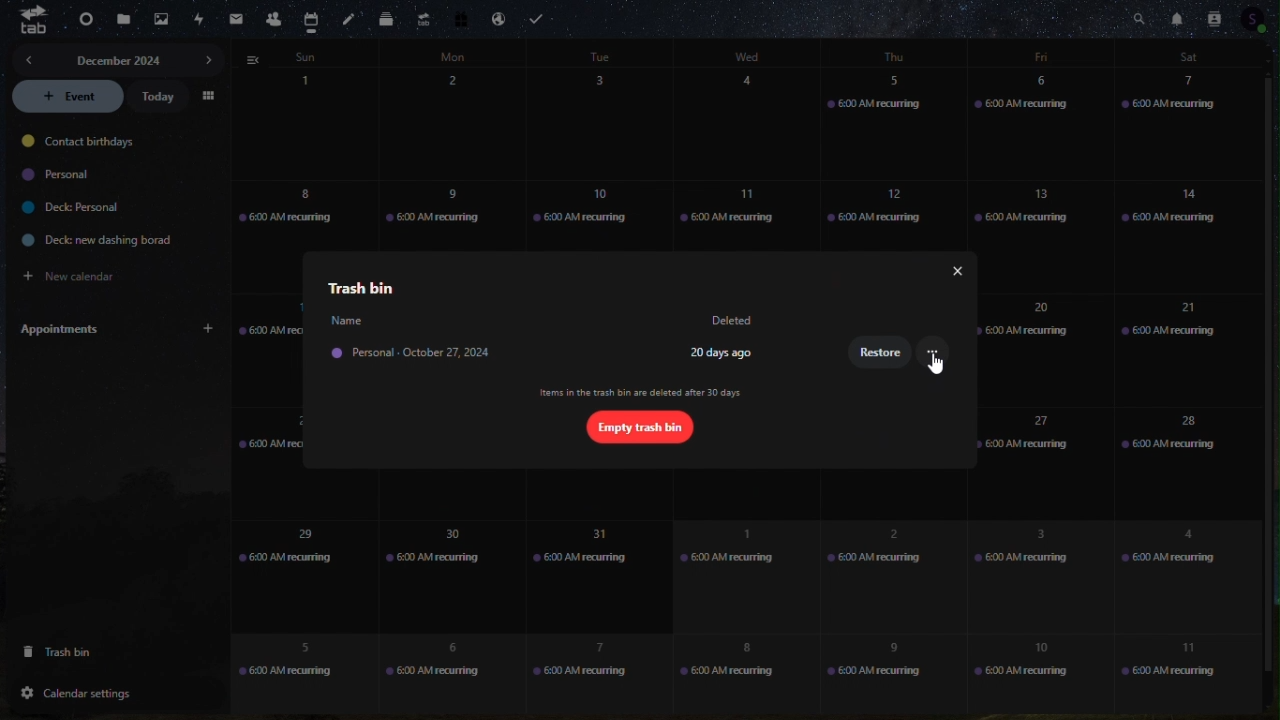 This screenshot has width=1280, height=720. Describe the element at coordinates (435, 669) in the screenshot. I see `6` at that location.